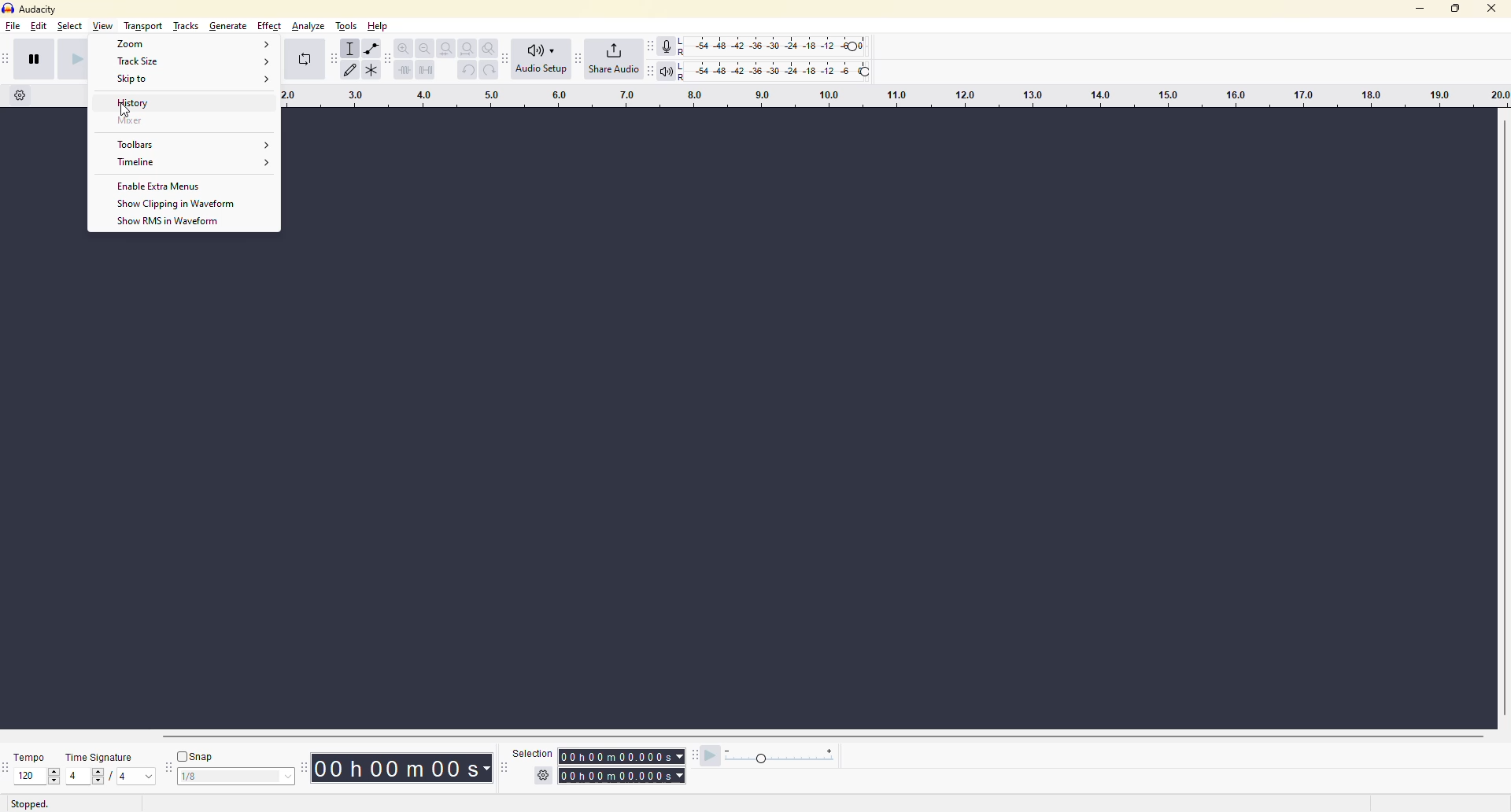 Image resolution: width=1511 pixels, height=812 pixels. I want to click on audacity tools toolbar, so click(303, 769).